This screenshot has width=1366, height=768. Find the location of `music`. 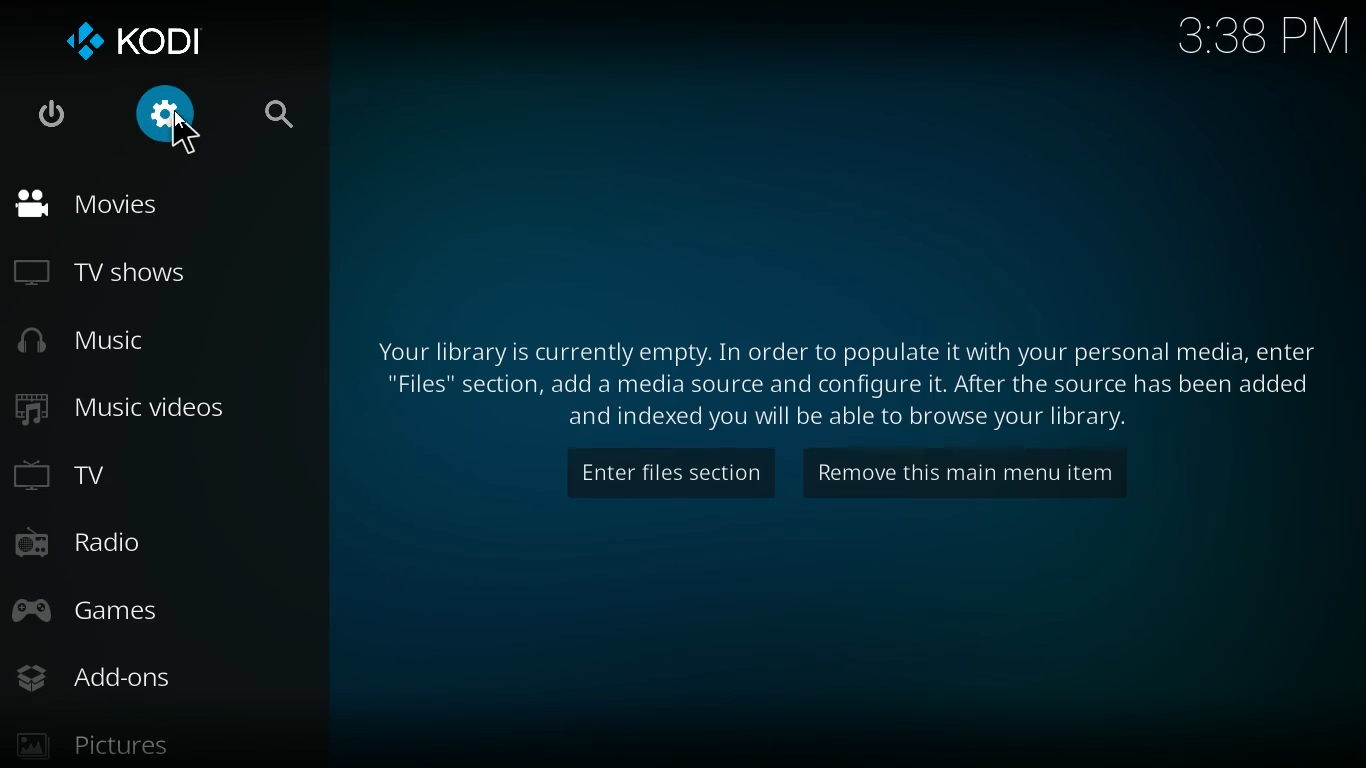

music is located at coordinates (128, 337).